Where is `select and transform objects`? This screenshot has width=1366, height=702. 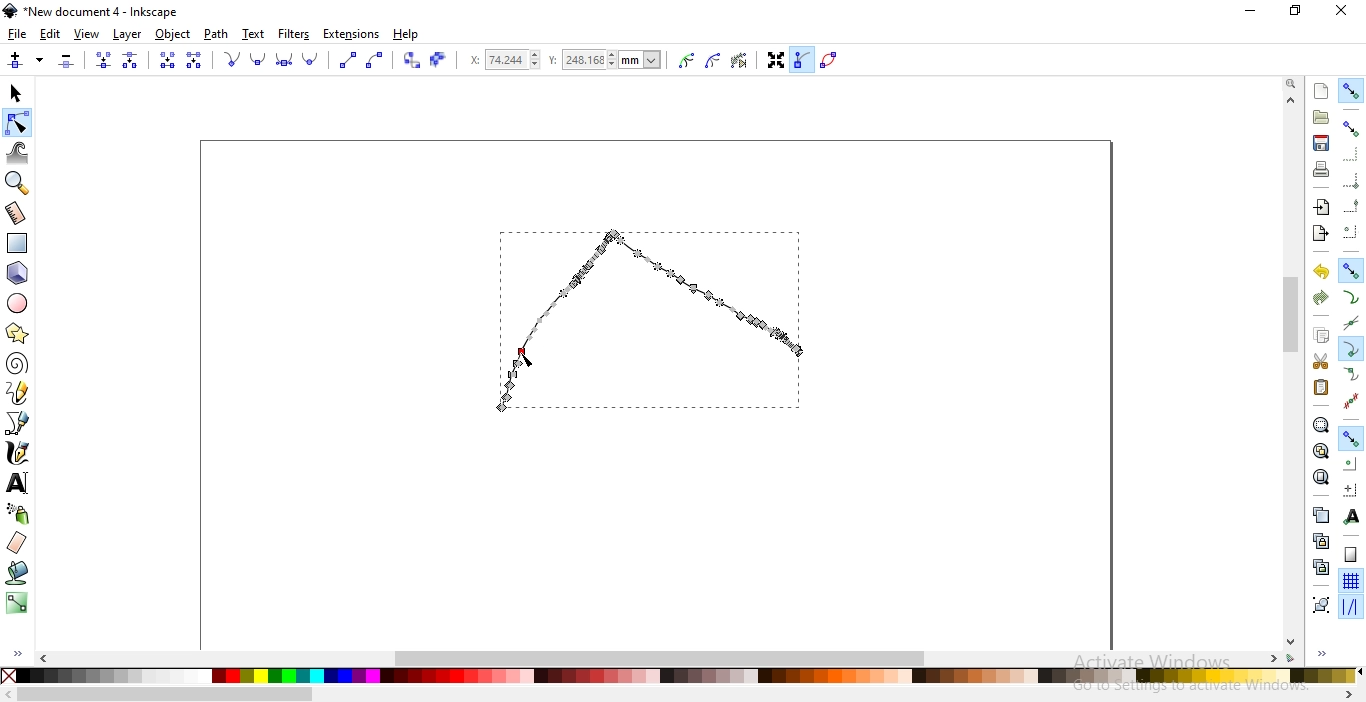 select and transform objects is located at coordinates (18, 94).